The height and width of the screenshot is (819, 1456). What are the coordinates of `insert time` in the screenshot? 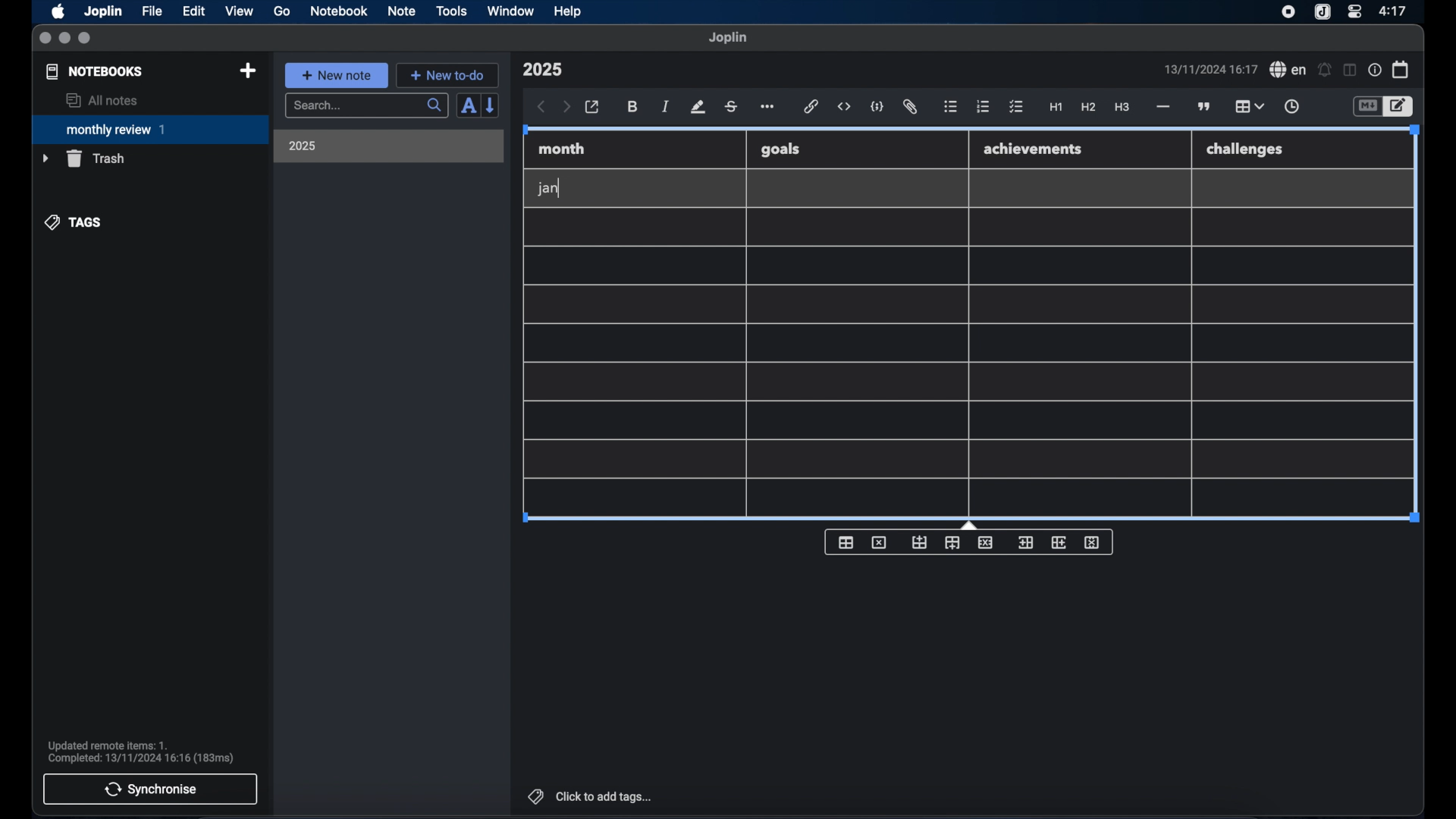 It's located at (1291, 107).